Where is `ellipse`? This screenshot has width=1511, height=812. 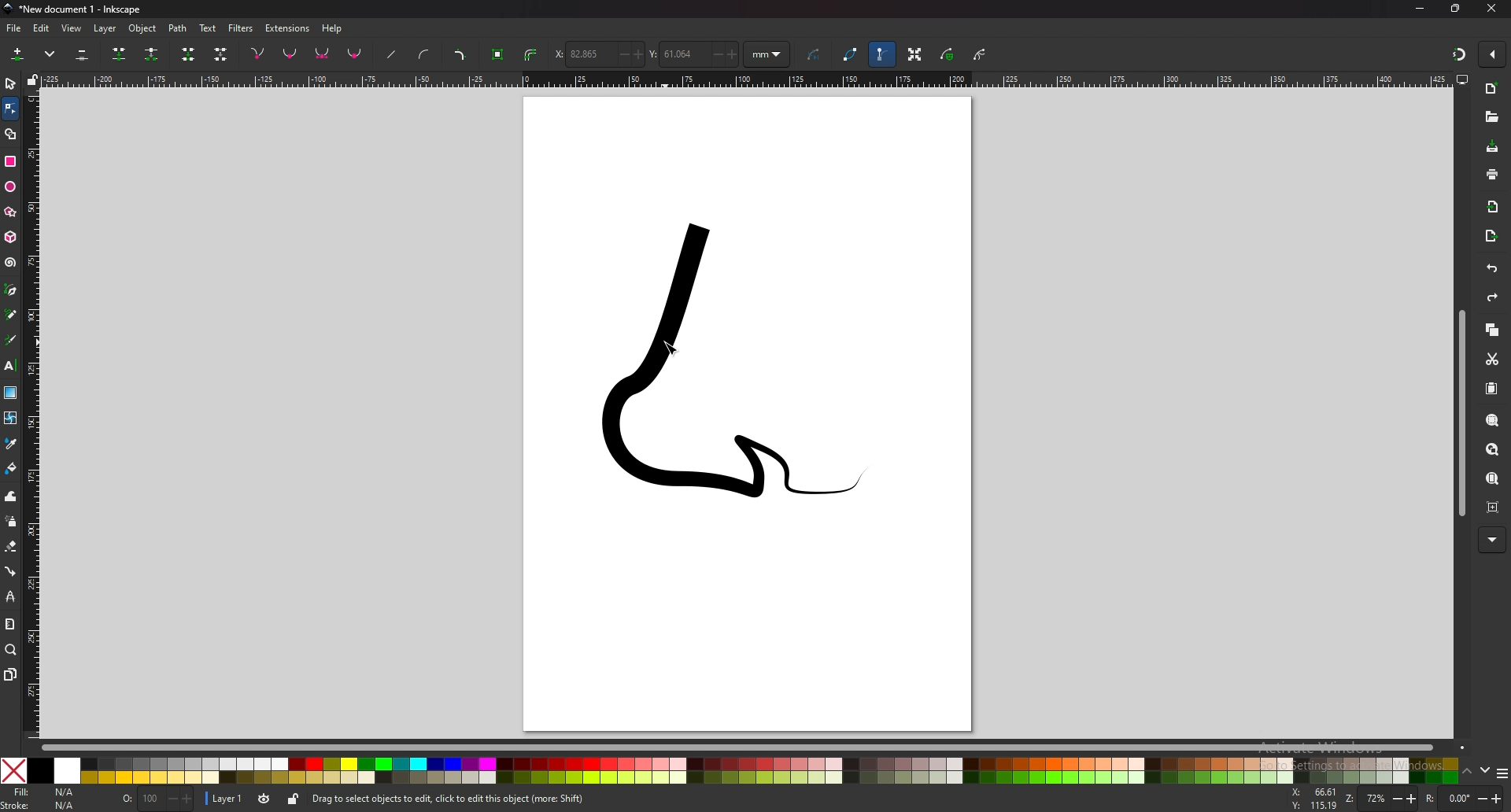 ellipse is located at coordinates (12, 186).